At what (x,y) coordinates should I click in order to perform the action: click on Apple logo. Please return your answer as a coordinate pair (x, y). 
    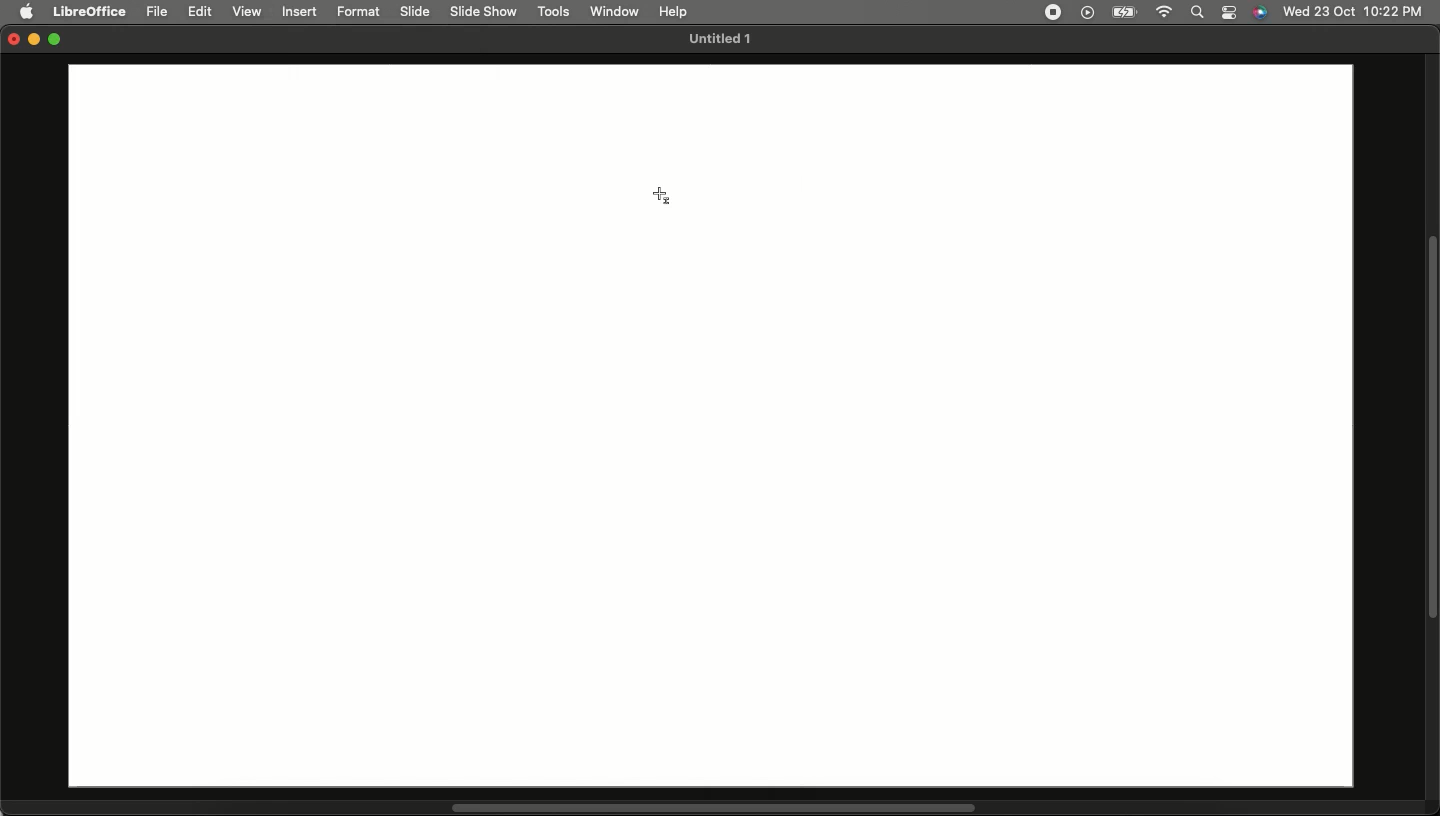
    Looking at the image, I should click on (29, 13).